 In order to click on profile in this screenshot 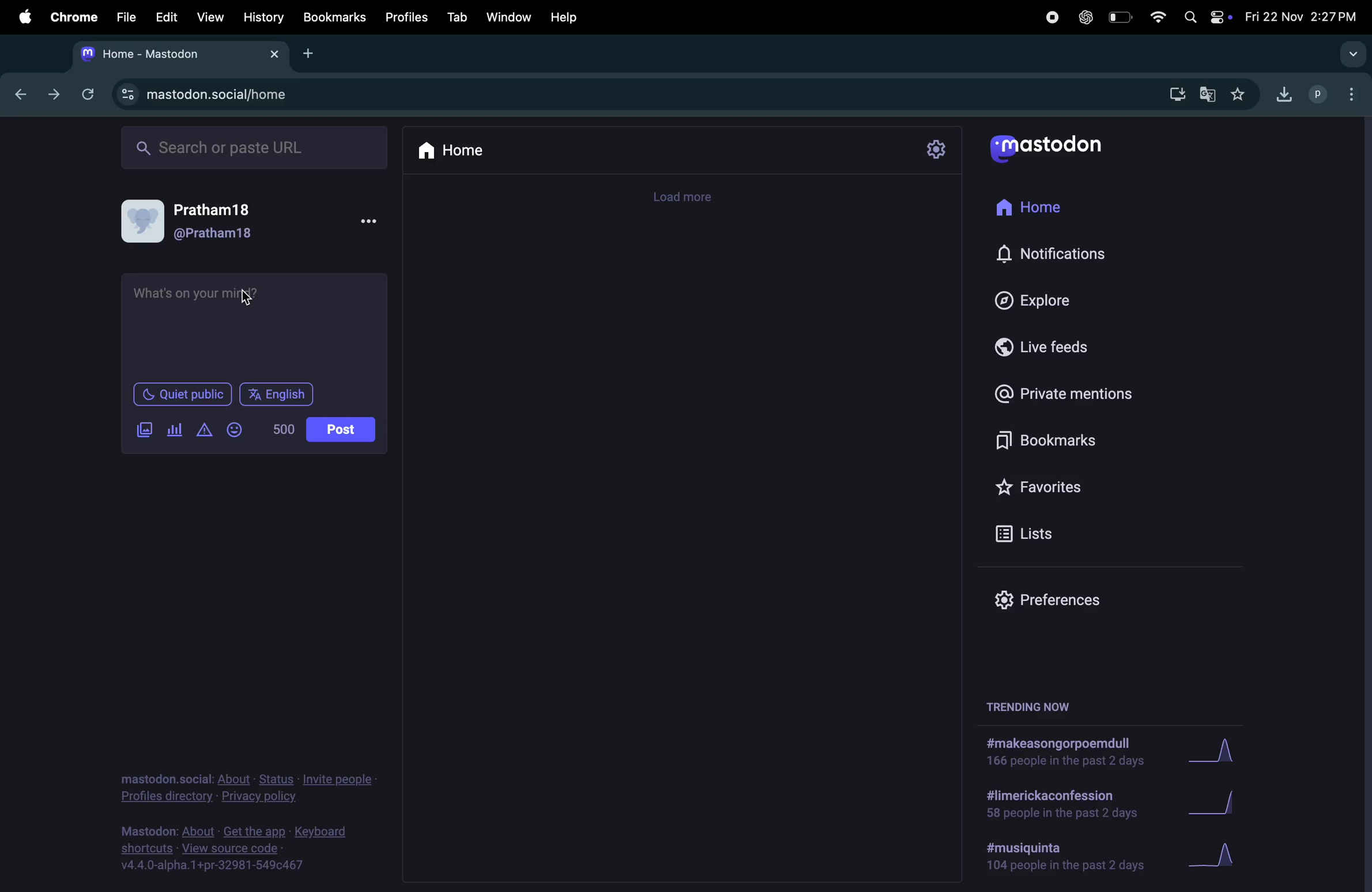, I will do `click(1319, 94)`.